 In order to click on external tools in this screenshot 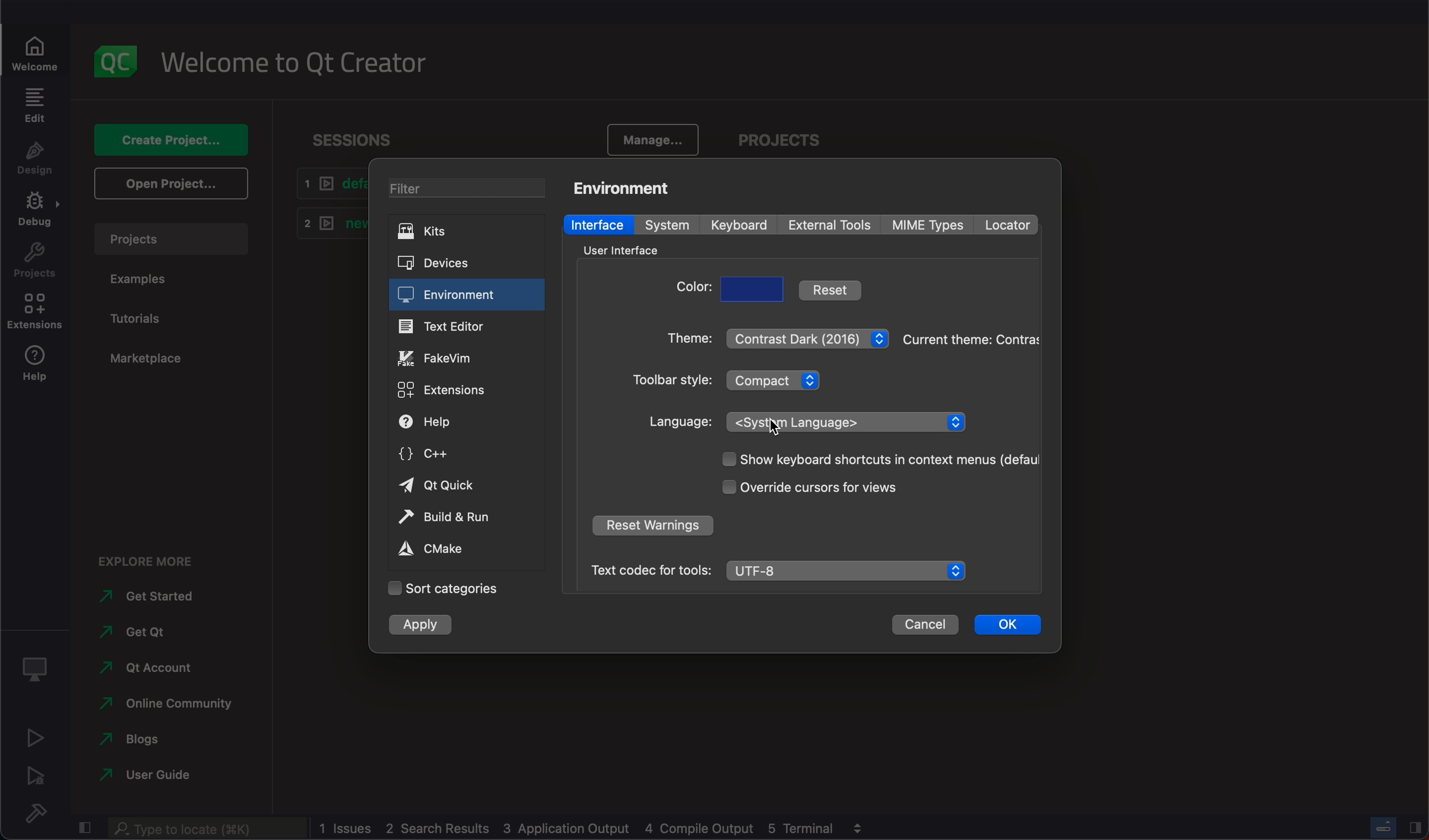, I will do `click(835, 226)`.